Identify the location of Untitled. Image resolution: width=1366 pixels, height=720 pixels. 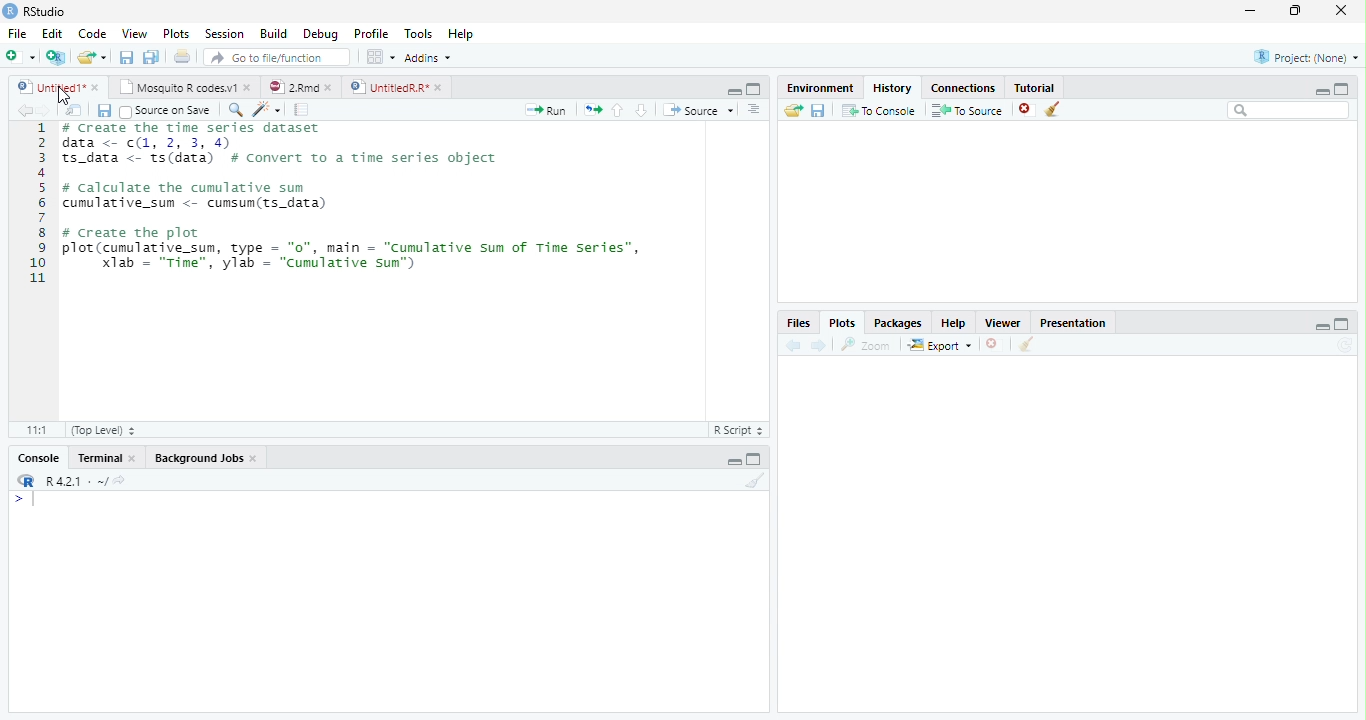
(58, 88).